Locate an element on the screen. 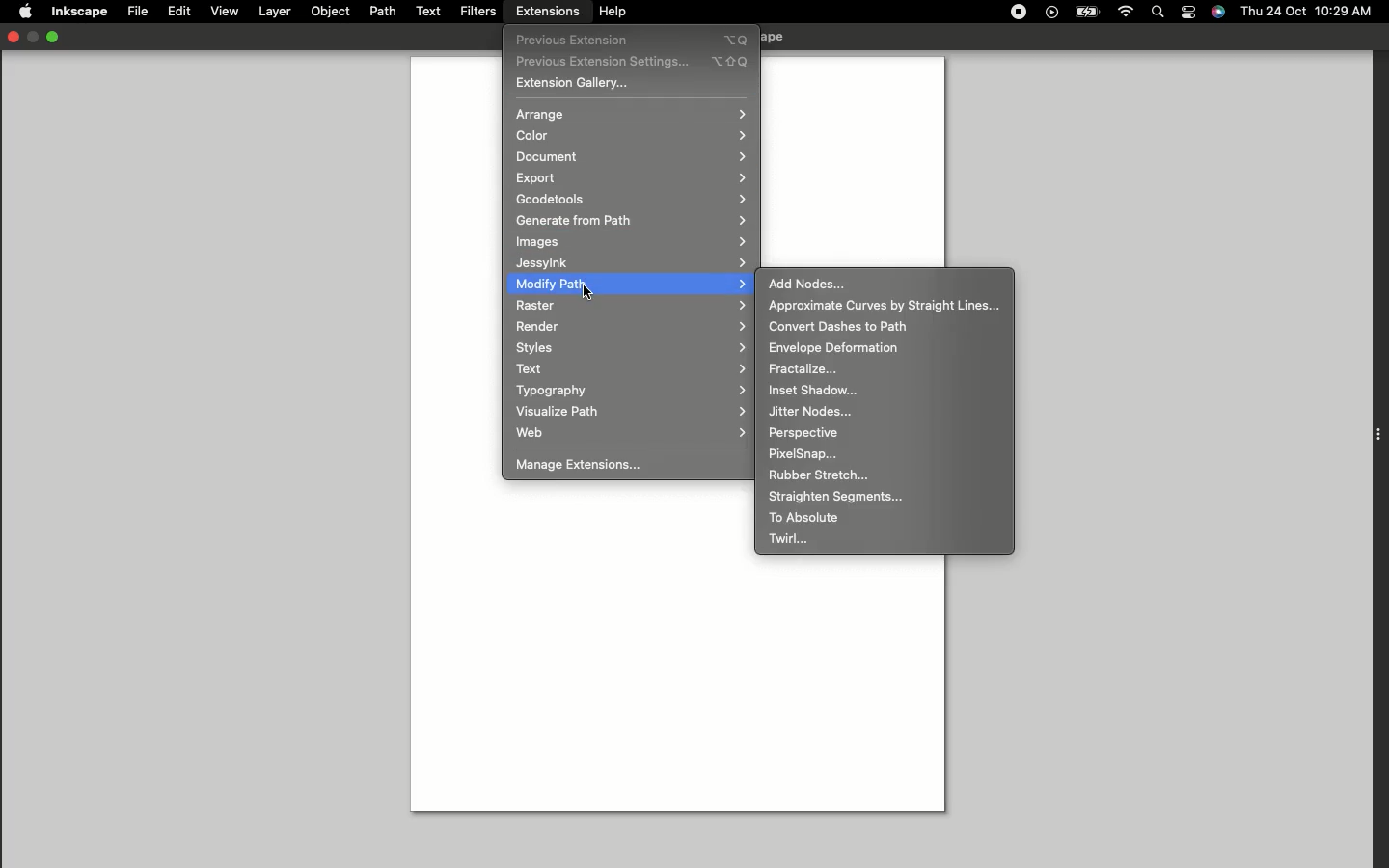 This screenshot has width=1389, height=868. Play is located at coordinates (1051, 13).